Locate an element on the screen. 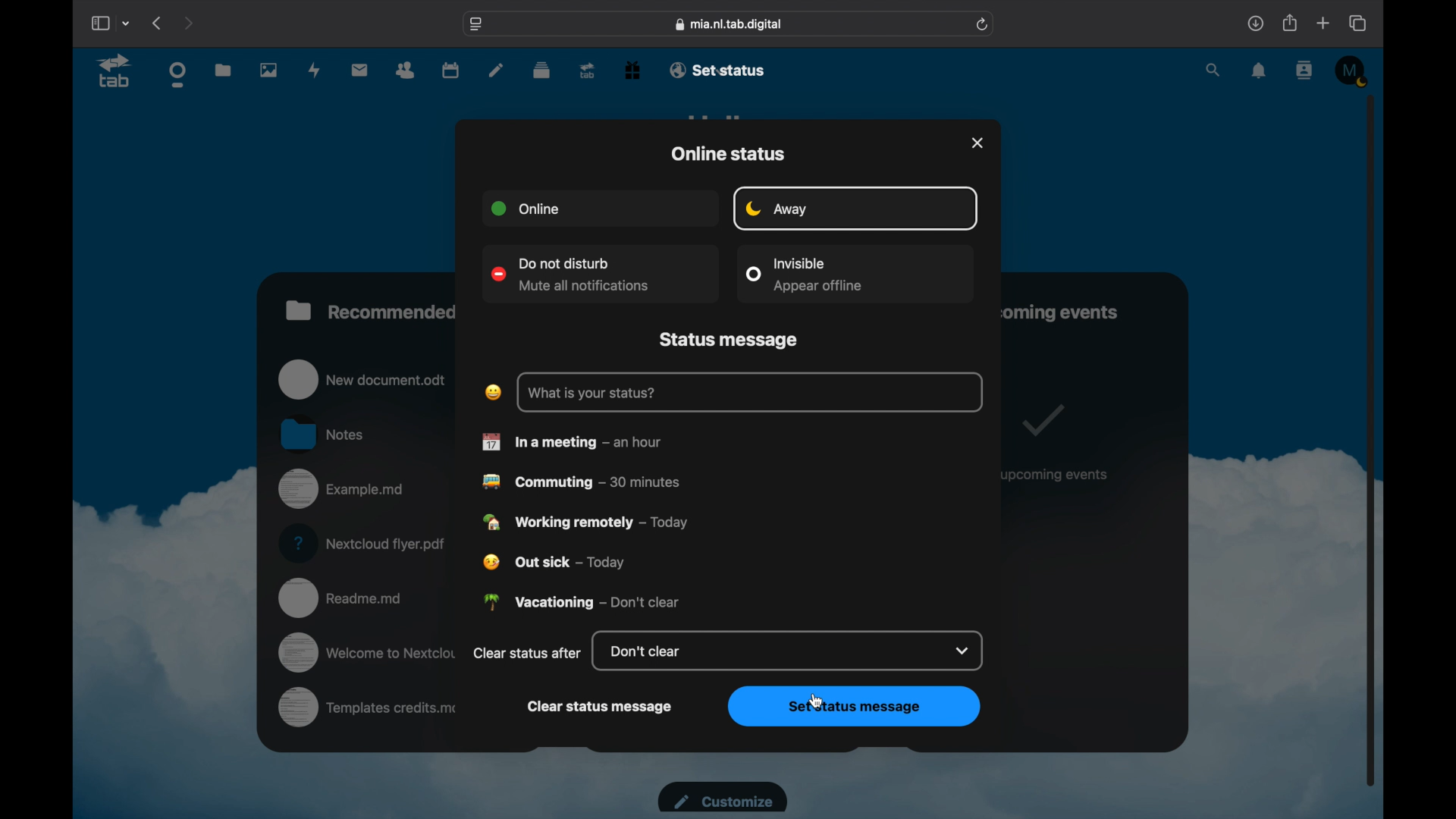 The image size is (1456, 819). invisible is located at coordinates (805, 274).